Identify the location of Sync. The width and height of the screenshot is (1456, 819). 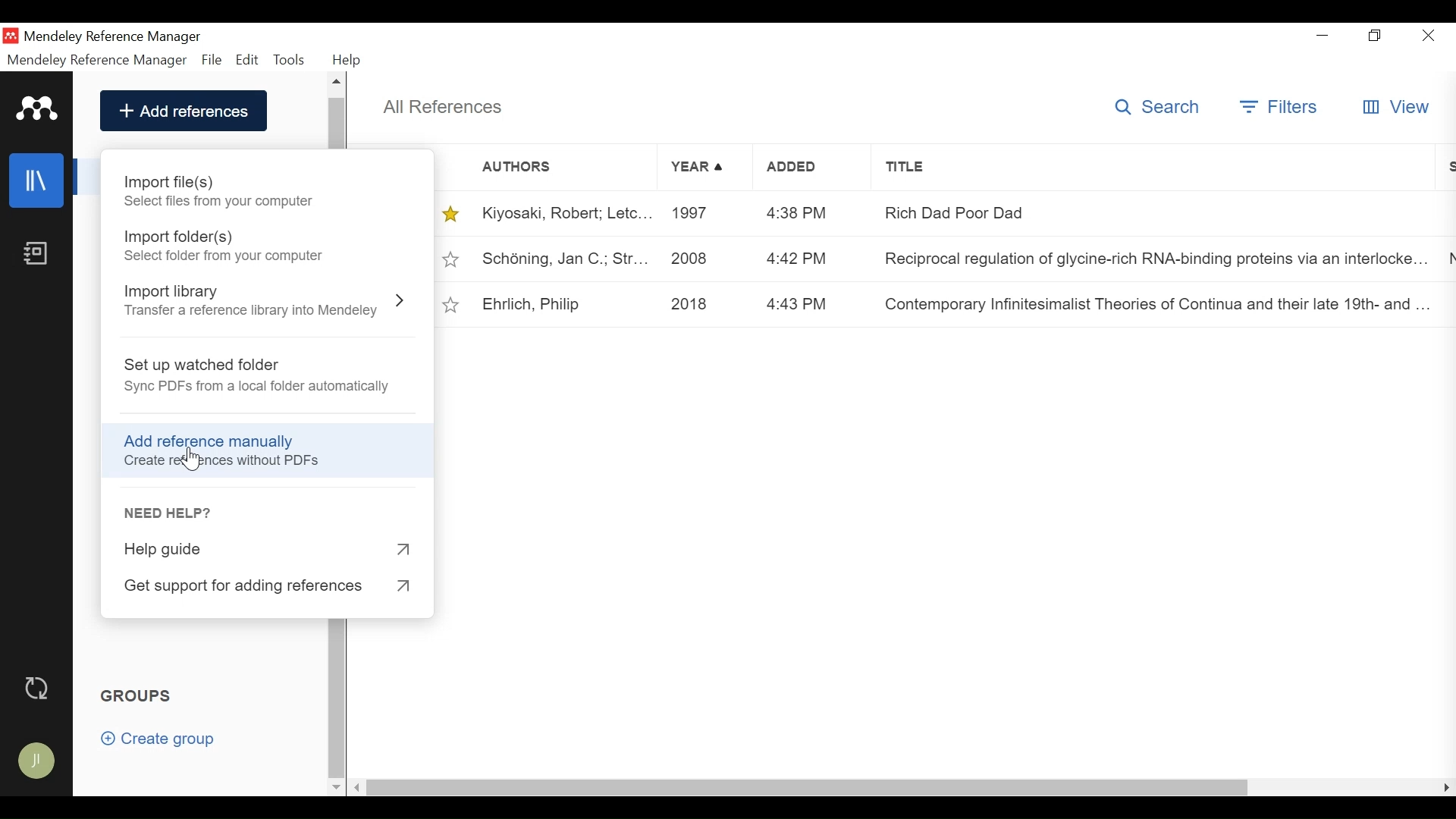
(39, 687).